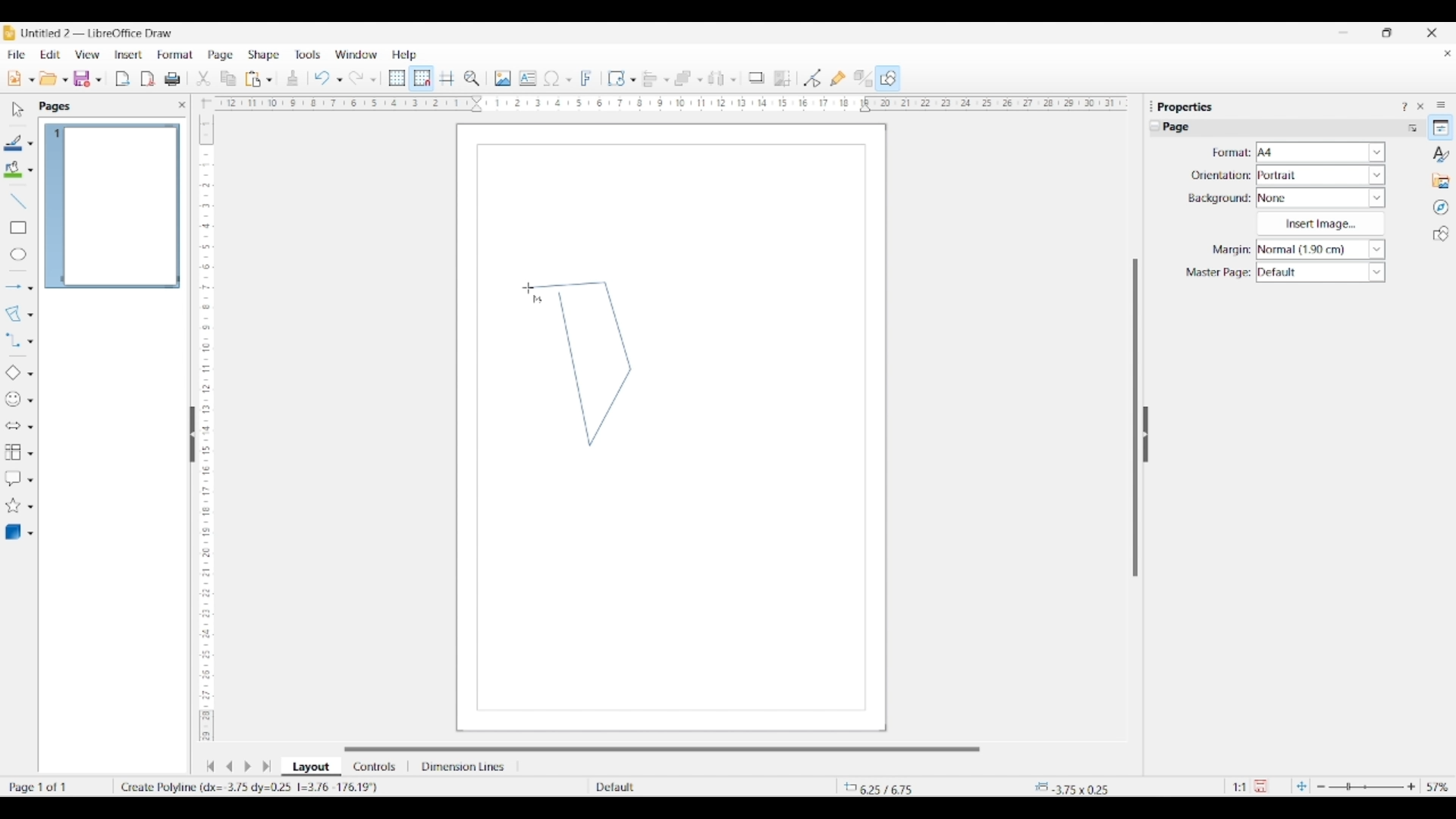 This screenshot has width=1456, height=819. Describe the element at coordinates (30, 534) in the screenshot. I see `3D shape options` at that location.